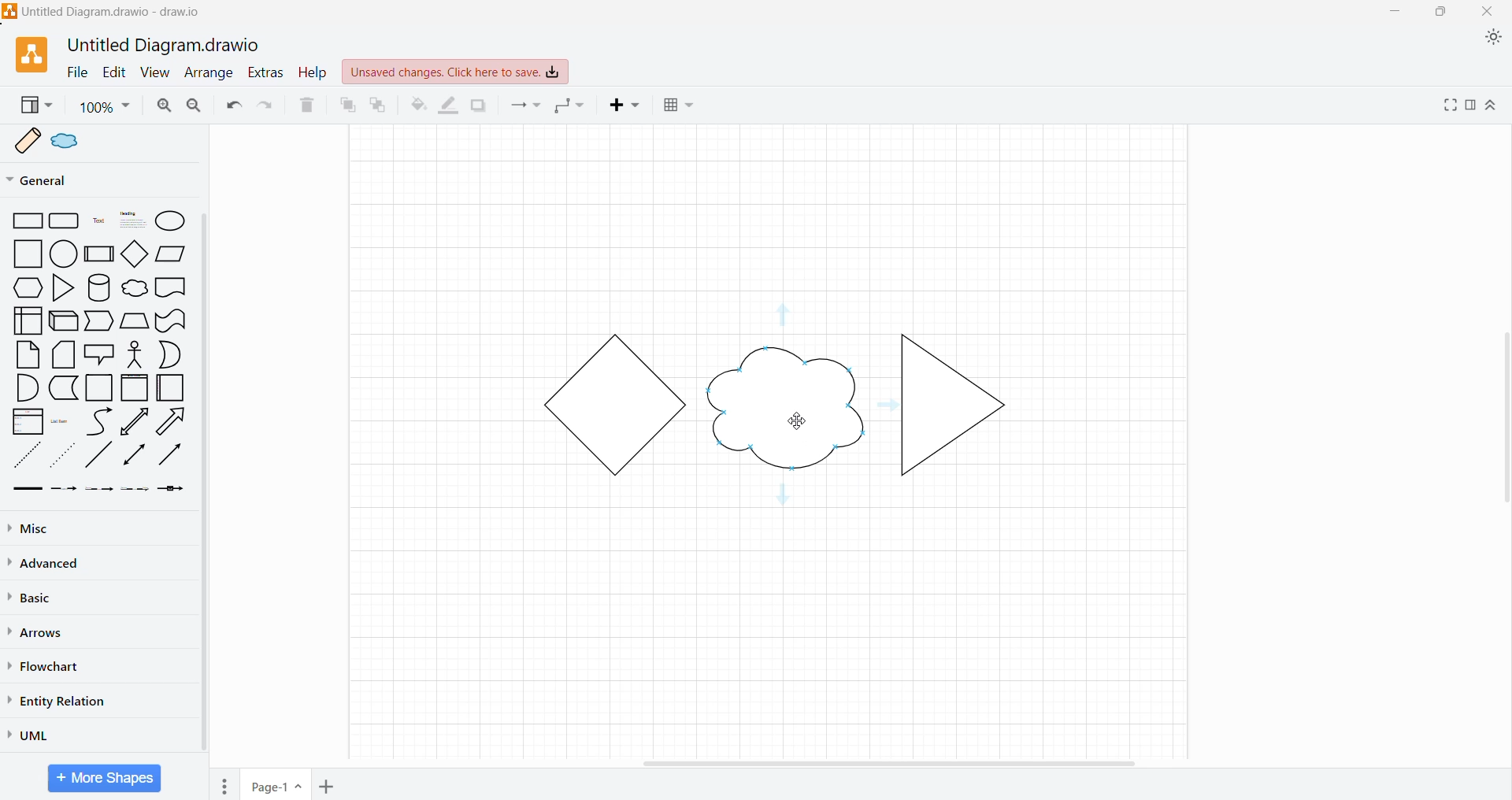 This screenshot has width=1512, height=800. Describe the element at coordinates (36, 733) in the screenshot. I see `UML` at that location.